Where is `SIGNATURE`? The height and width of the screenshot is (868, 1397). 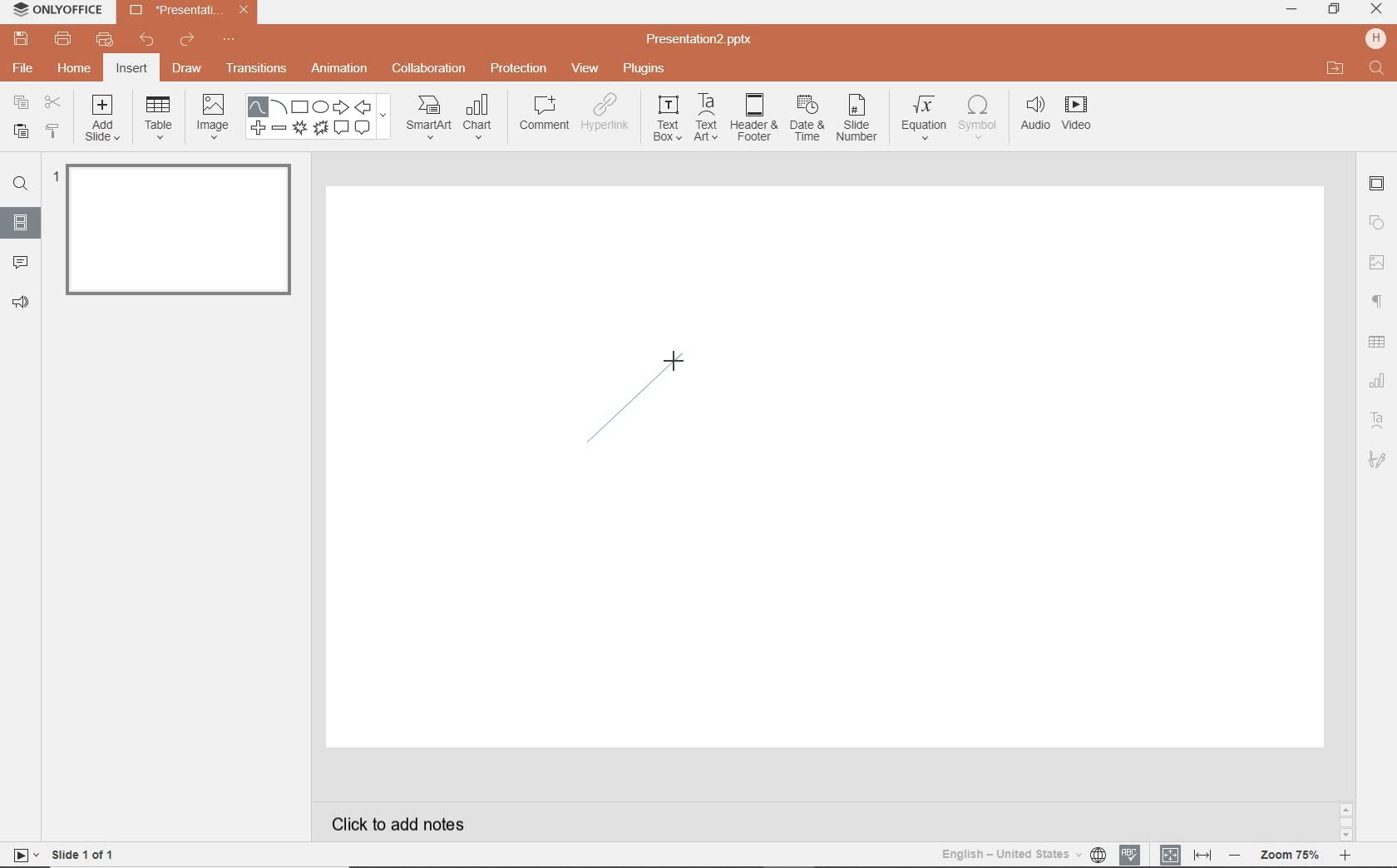
SIGNATURE is located at coordinates (1378, 461).